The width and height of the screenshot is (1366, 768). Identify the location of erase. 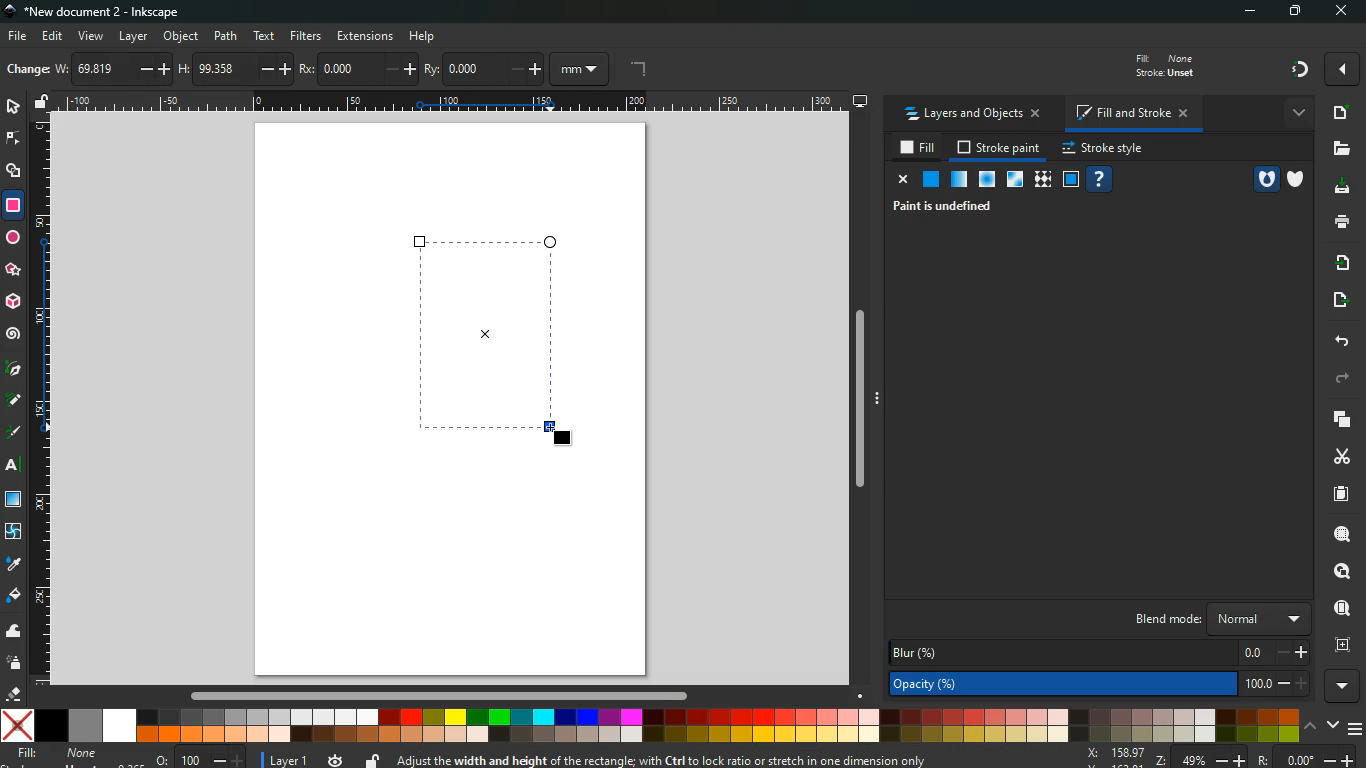
(14, 693).